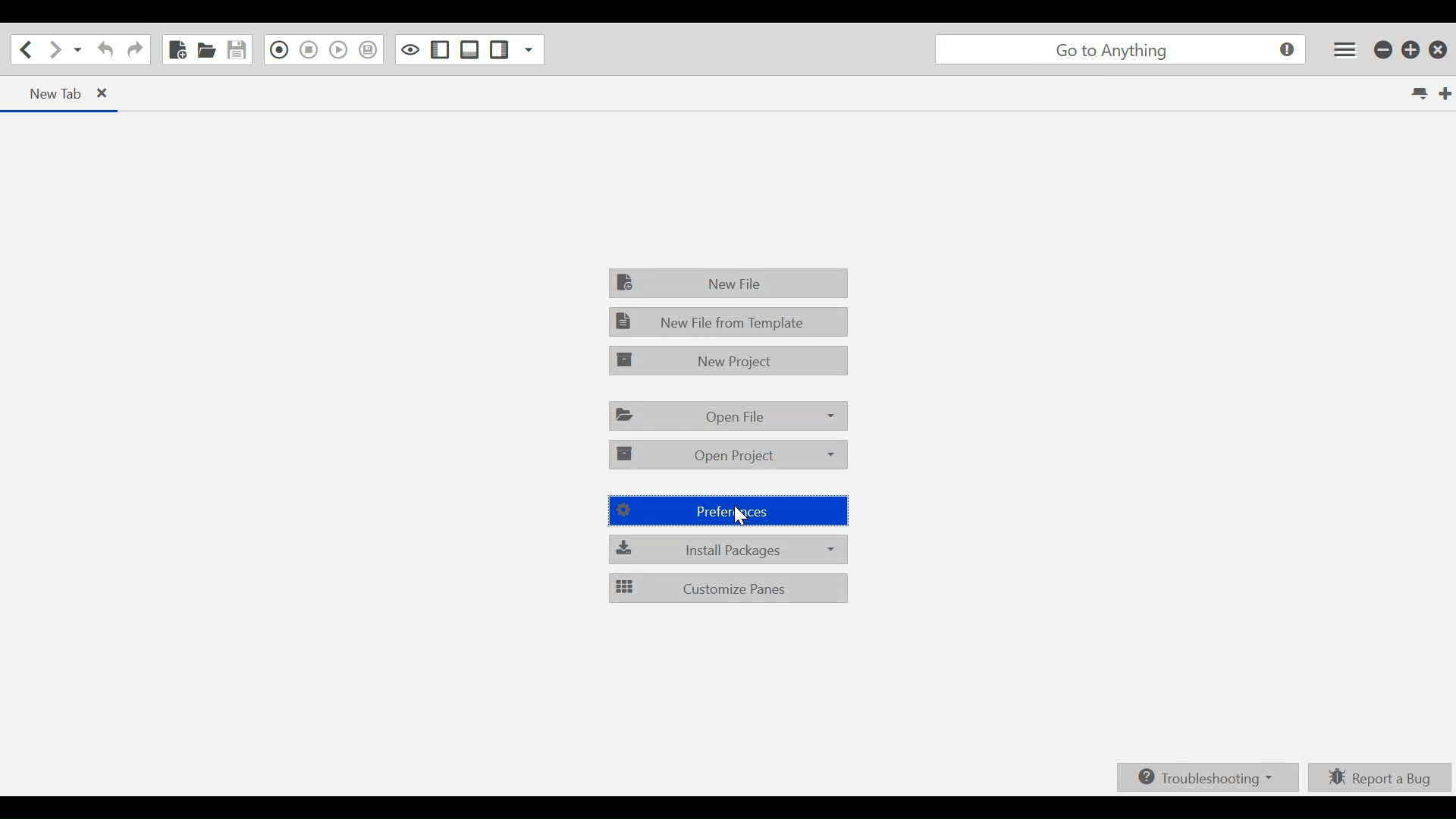 The width and height of the screenshot is (1456, 819). I want to click on Show/Hide Right Pane, so click(498, 50).